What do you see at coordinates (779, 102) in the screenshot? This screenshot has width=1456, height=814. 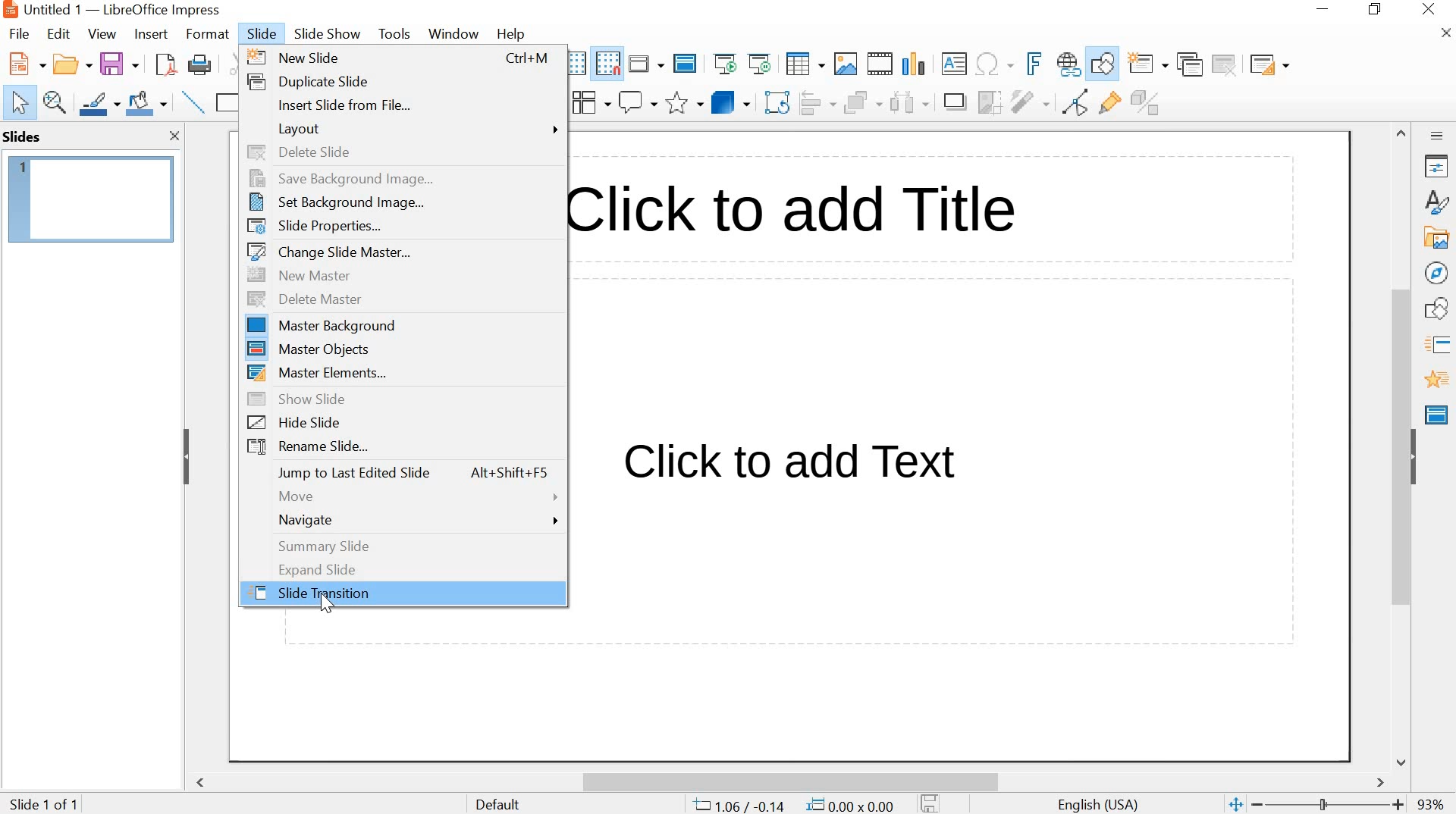 I see `Rotate` at bounding box center [779, 102].